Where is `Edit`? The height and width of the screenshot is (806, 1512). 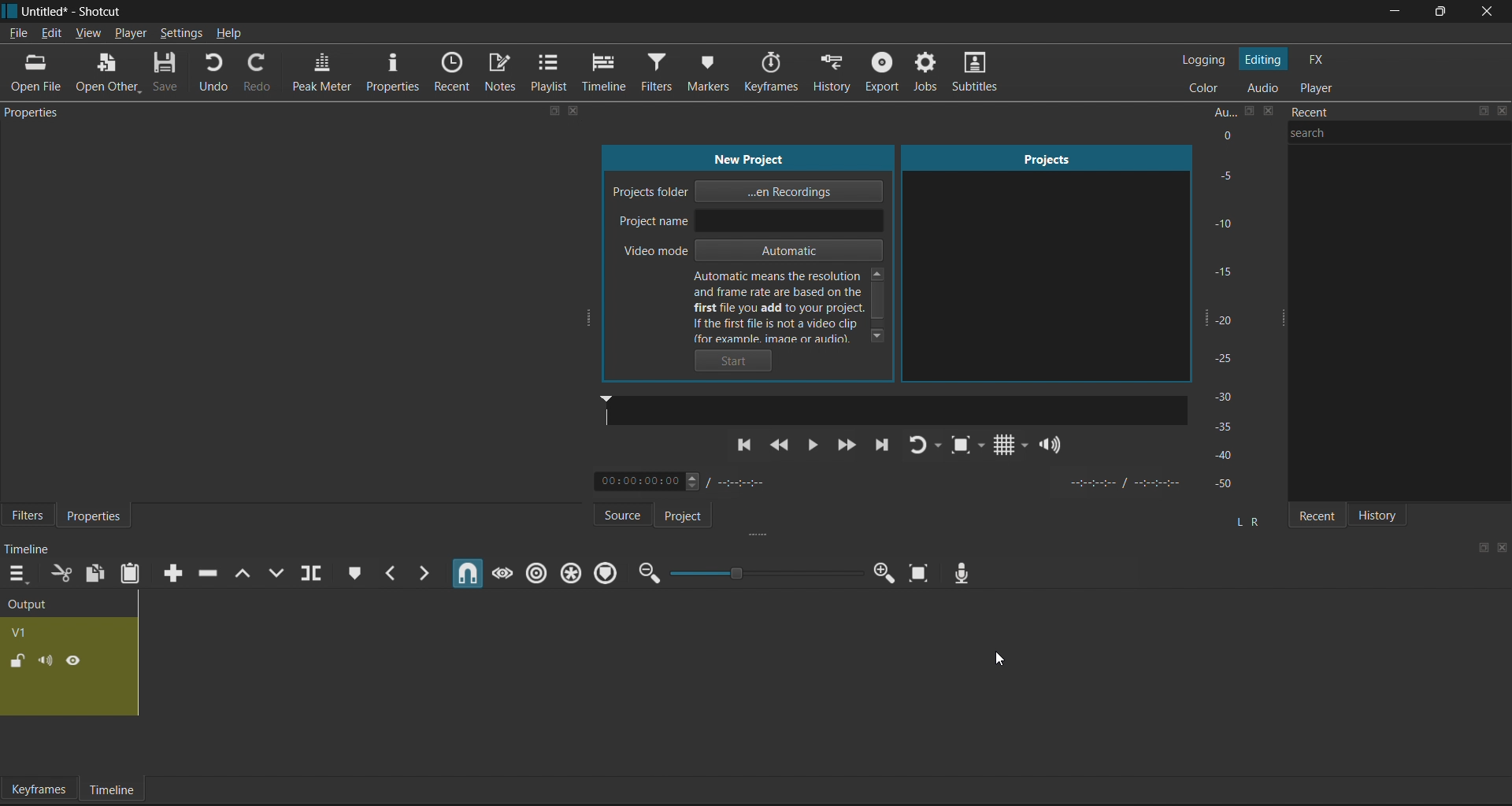
Edit is located at coordinates (51, 34).